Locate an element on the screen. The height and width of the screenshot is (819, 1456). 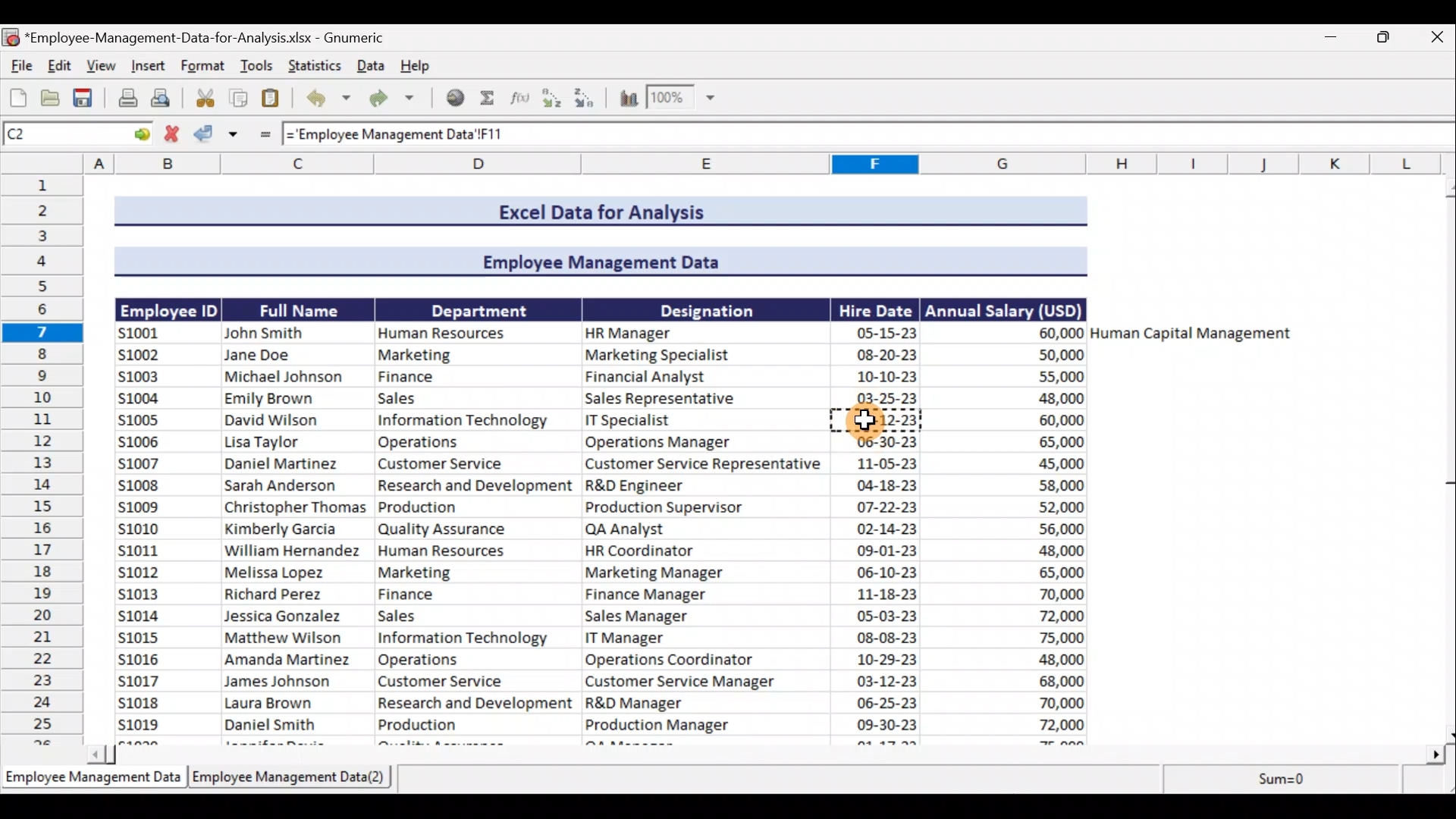
Zoom is located at coordinates (684, 99).